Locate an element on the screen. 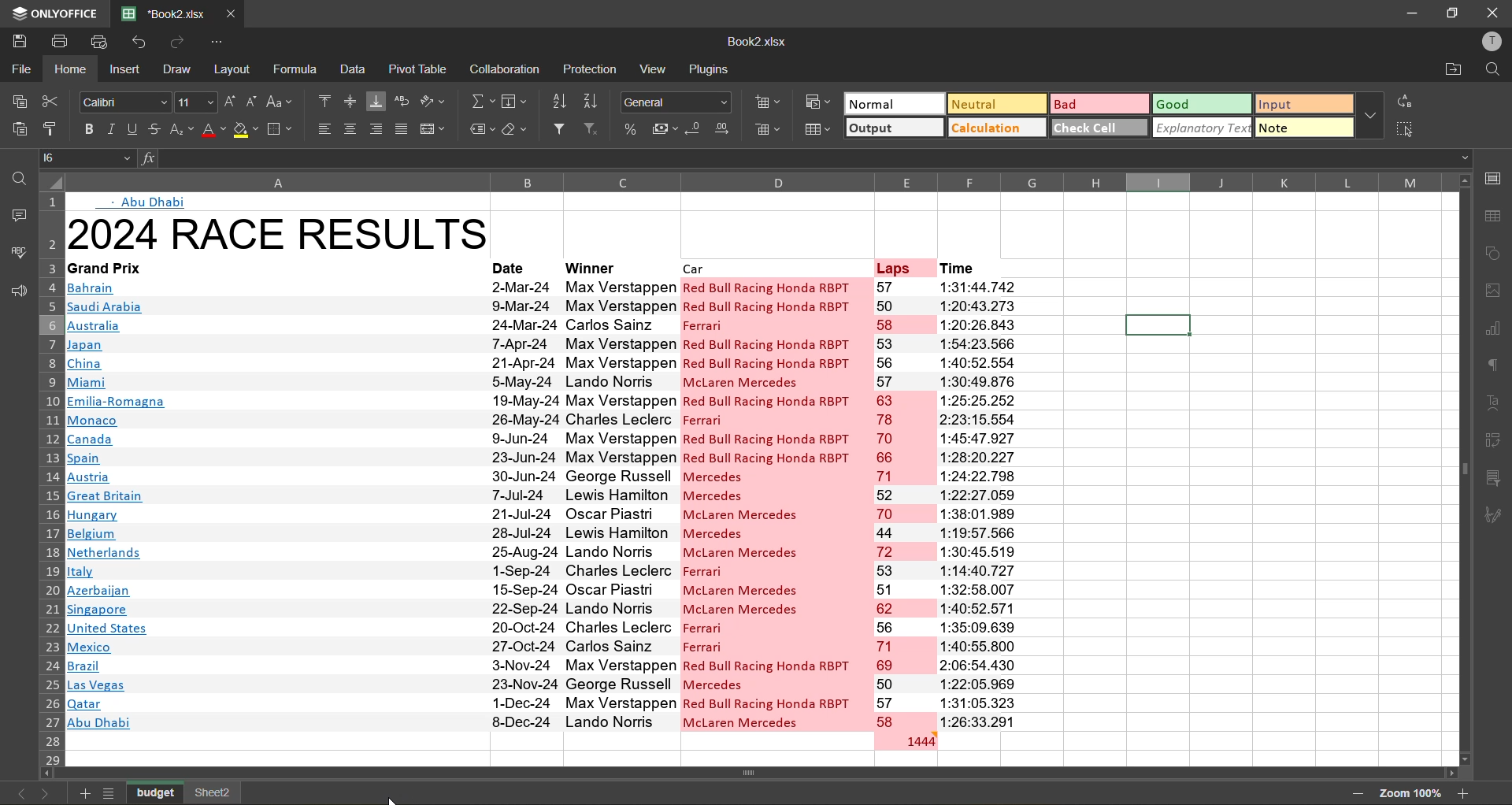 The image size is (1512, 805). clear is located at coordinates (516, 131).